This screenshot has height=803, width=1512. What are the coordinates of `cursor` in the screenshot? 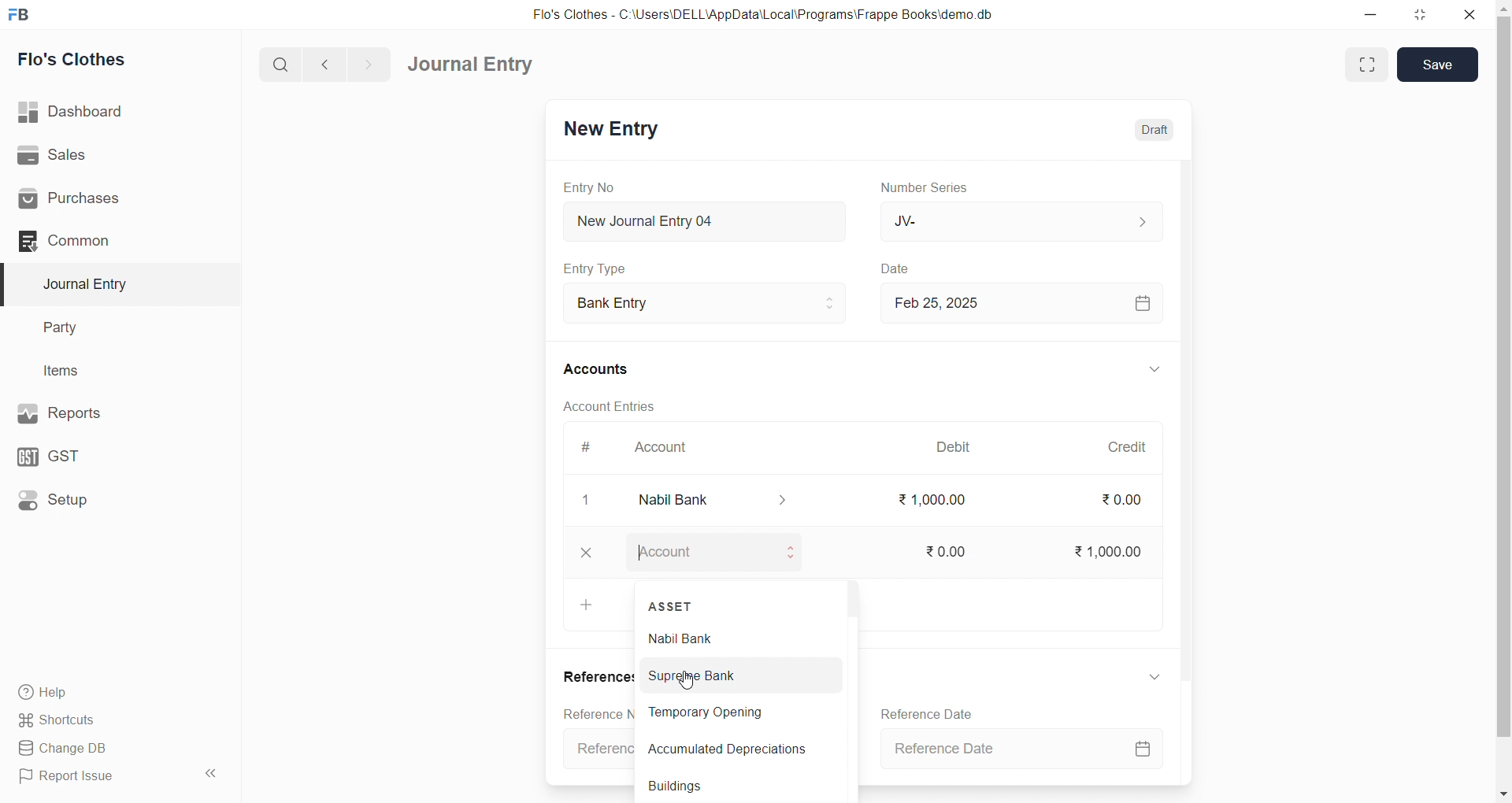 It's located at (690, 683).